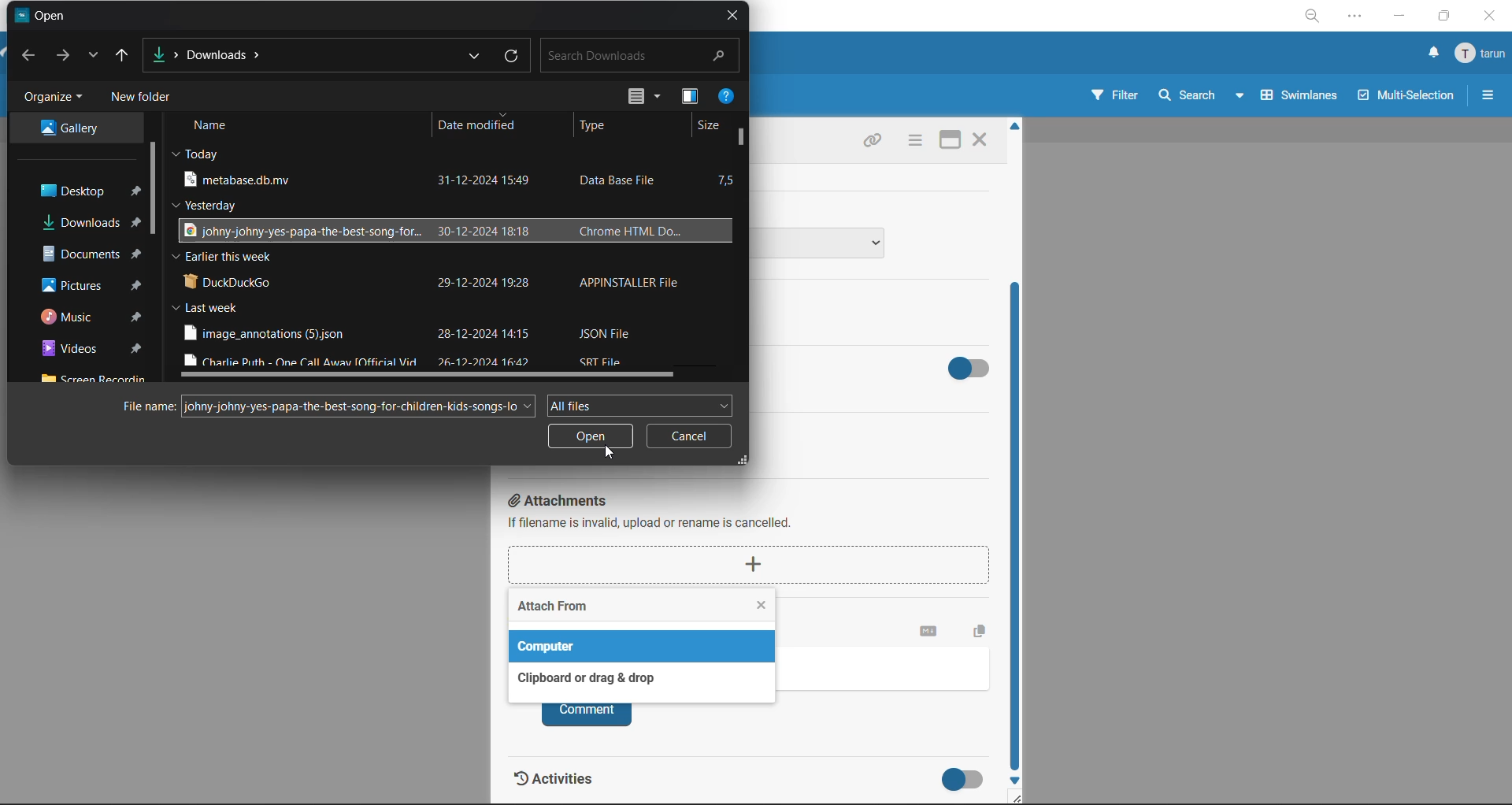  I want to click on music, so click(76, 317).